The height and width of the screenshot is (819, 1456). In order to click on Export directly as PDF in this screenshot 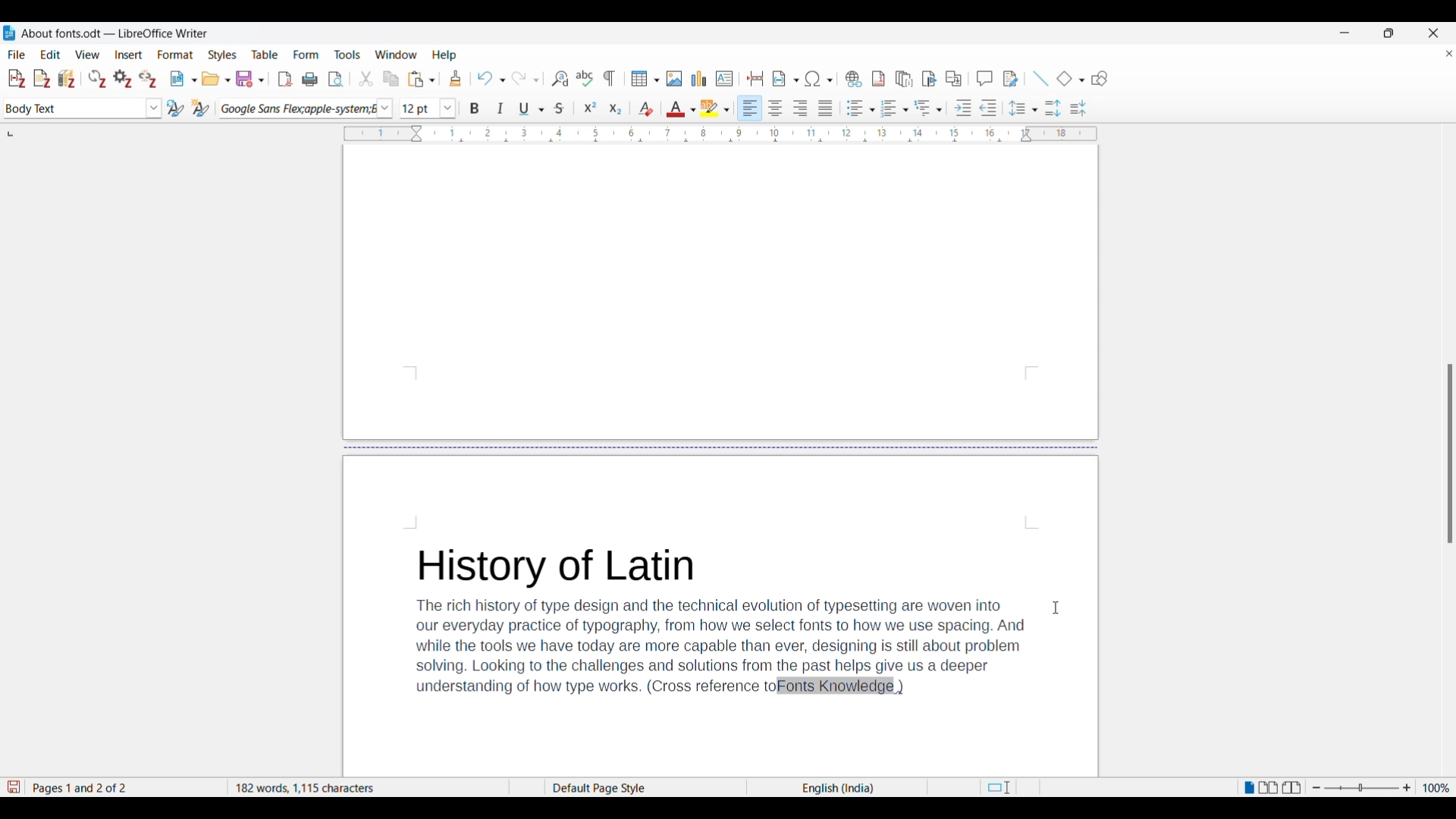, I will do `click(285, 80)`.